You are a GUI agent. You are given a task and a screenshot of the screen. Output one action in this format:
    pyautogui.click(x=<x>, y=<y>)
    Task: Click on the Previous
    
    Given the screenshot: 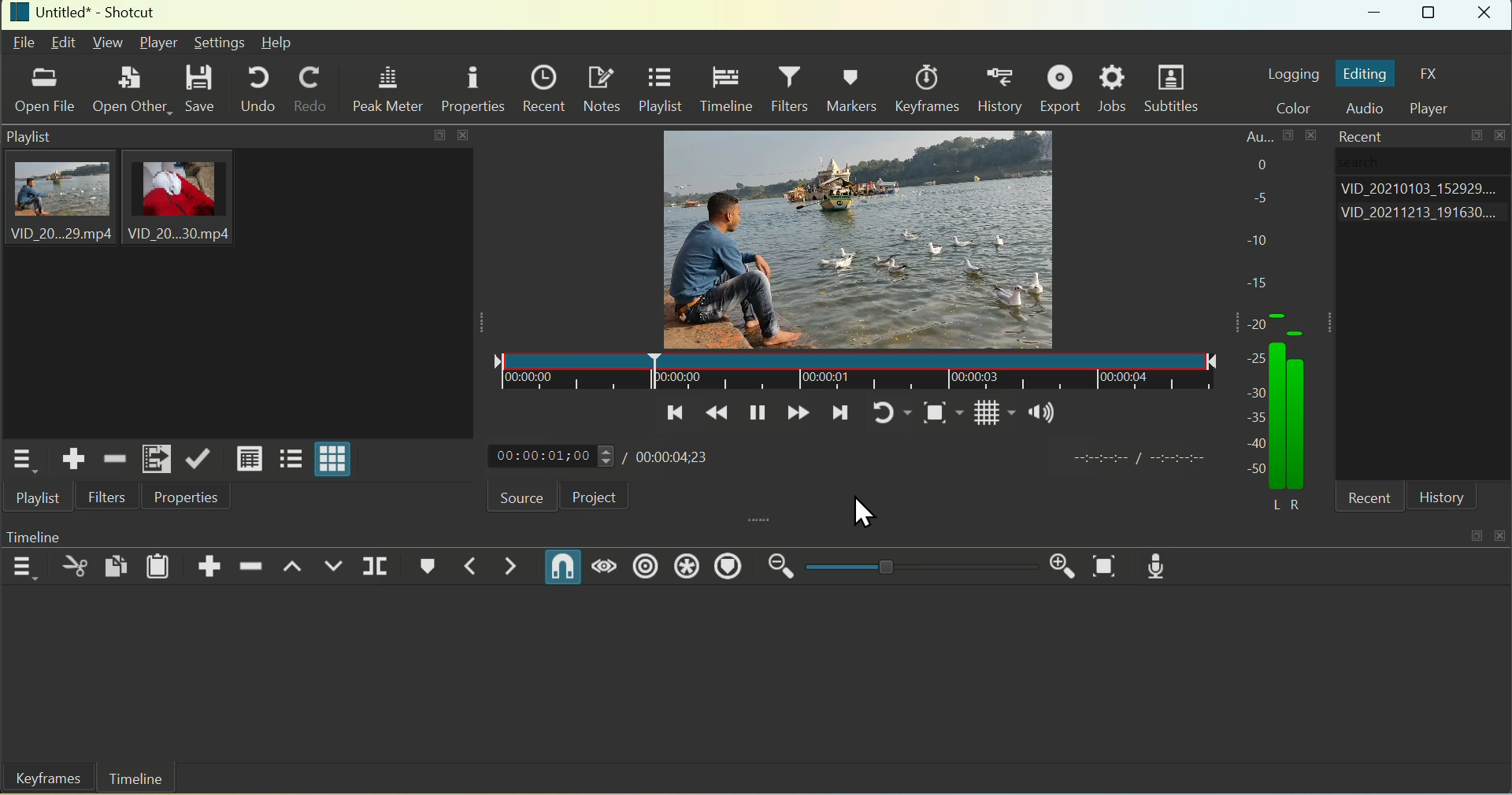 What is the action you would take?
    pyautogui.click(x=672, y=413)
    